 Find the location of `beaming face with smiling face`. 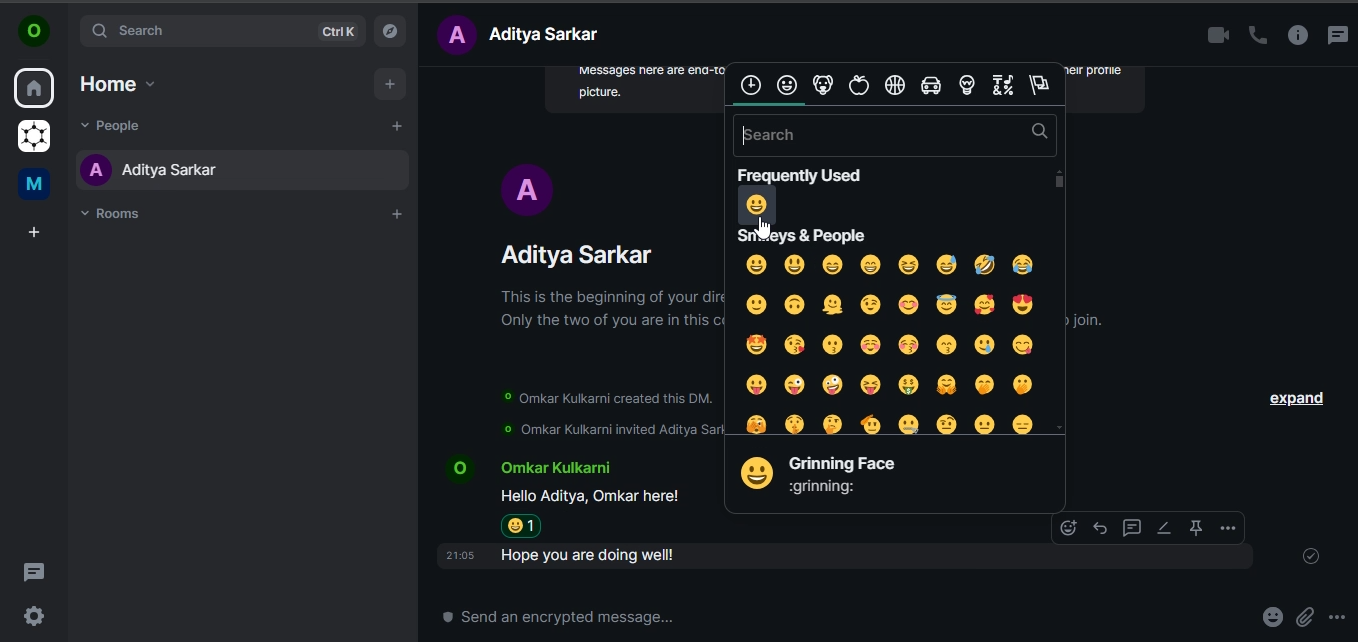

beaming face with smiling face is located at coordinates (871, 264).